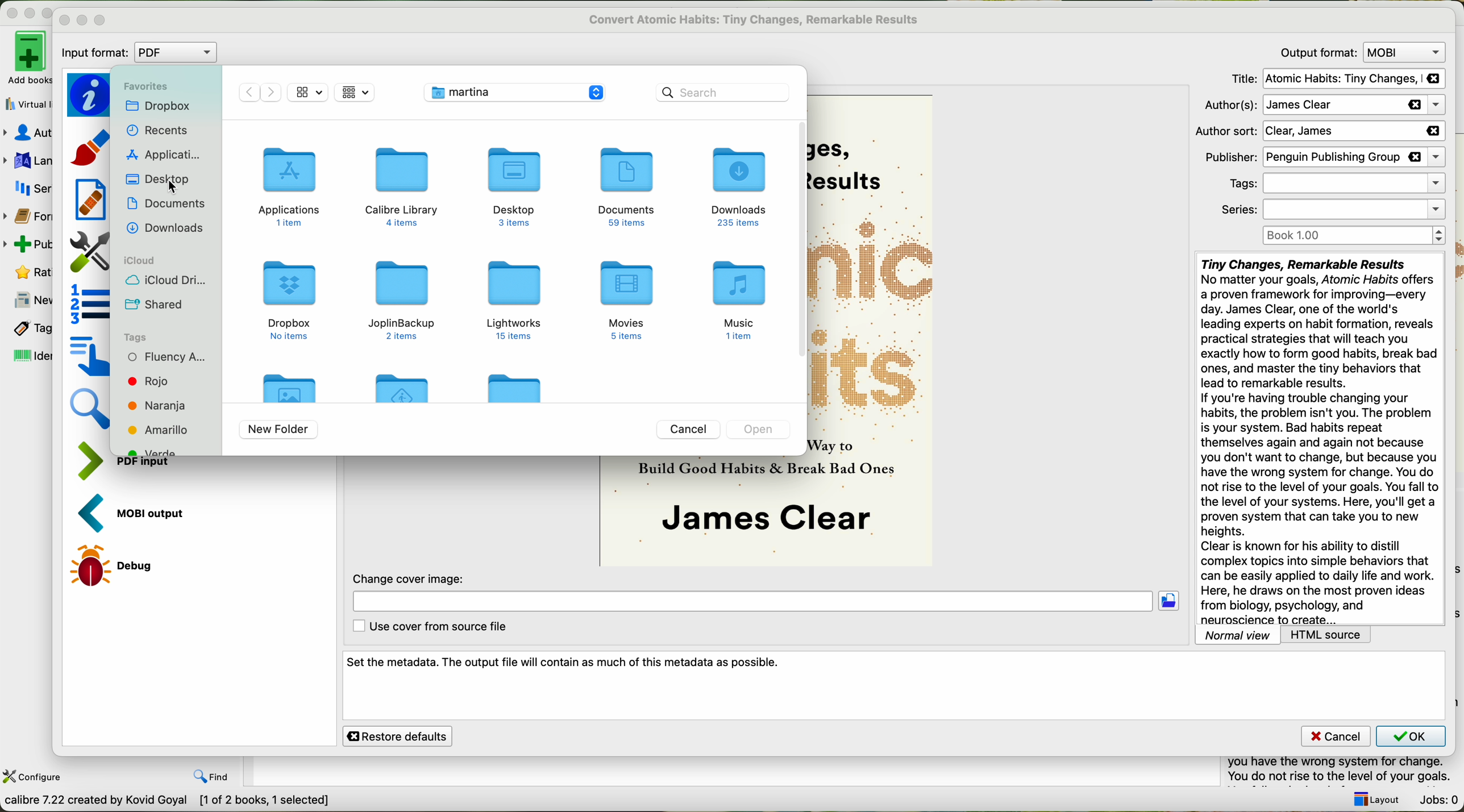  What do you see at coordinates (400, 389) in the screenshot?
I see `folder` at bounding box center [400, 389].